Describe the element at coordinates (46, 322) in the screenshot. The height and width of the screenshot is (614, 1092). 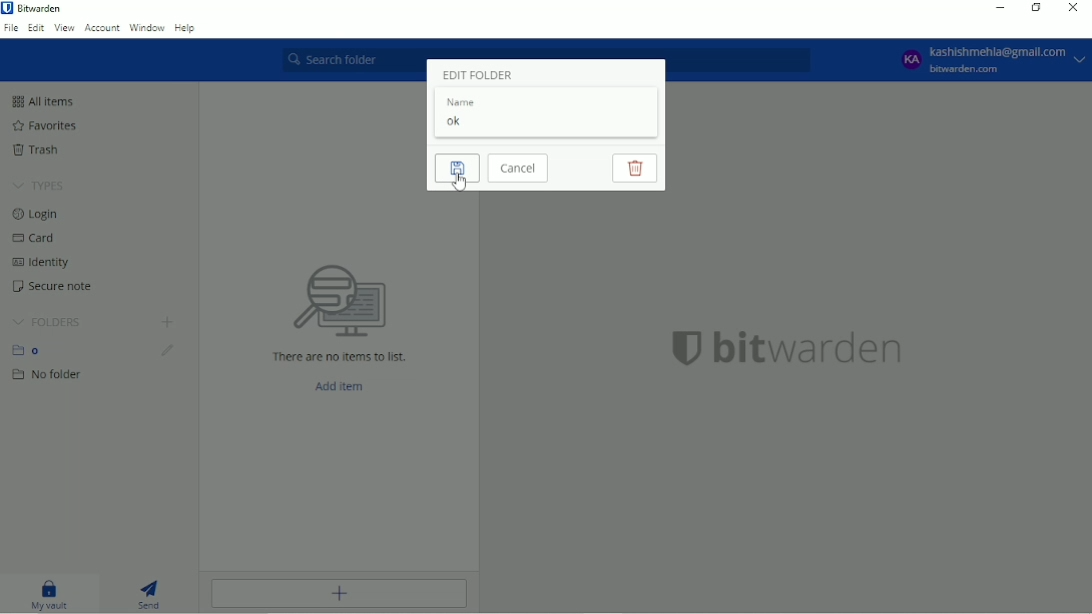
I see `Folders` at that location.